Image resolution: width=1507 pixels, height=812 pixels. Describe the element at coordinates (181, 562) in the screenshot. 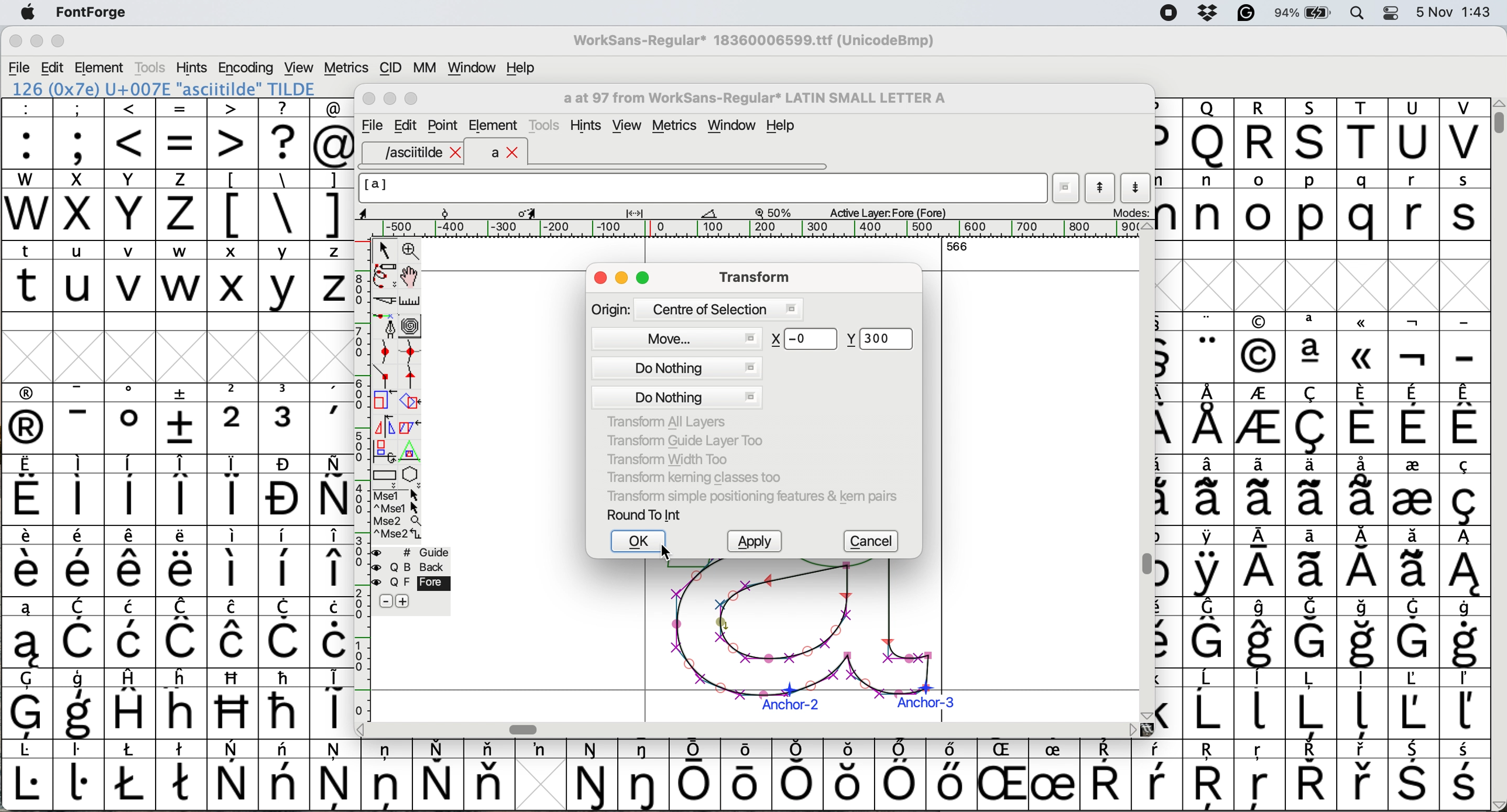

I see `symbol` at that location.